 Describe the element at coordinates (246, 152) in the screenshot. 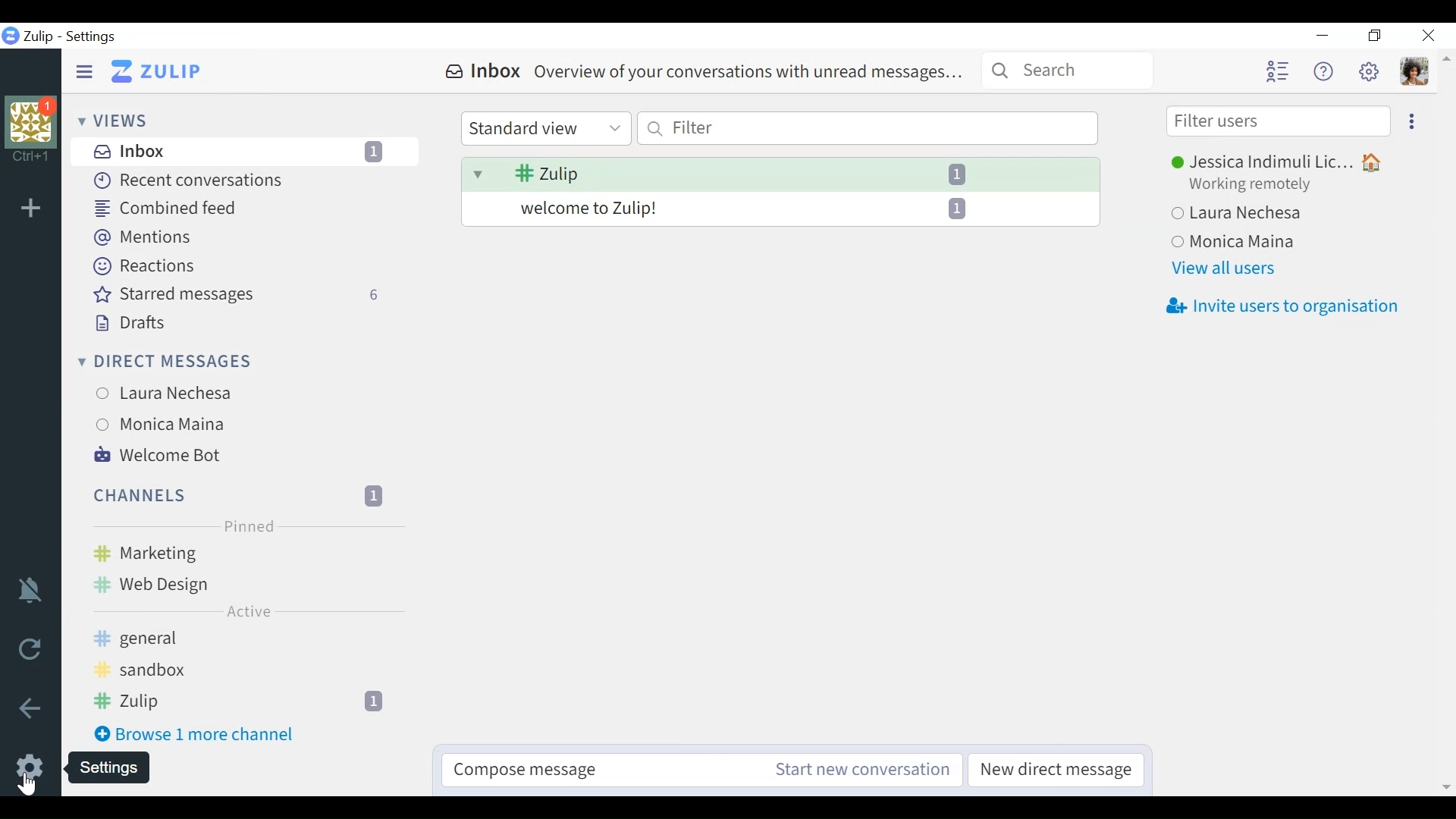

I see `Inbox` at that location.